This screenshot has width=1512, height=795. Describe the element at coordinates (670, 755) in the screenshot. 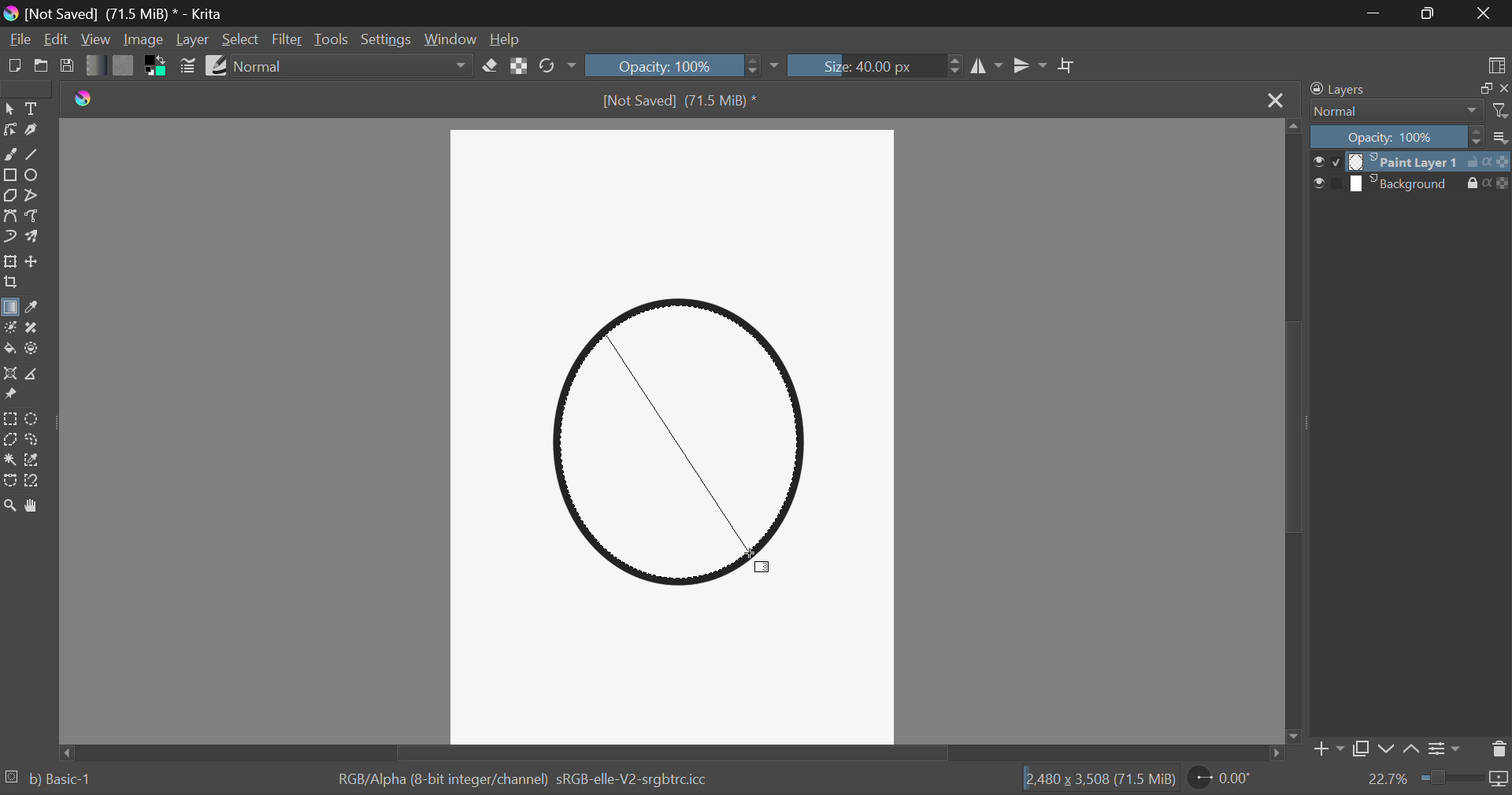

I see `Scroll Bar` at that location.